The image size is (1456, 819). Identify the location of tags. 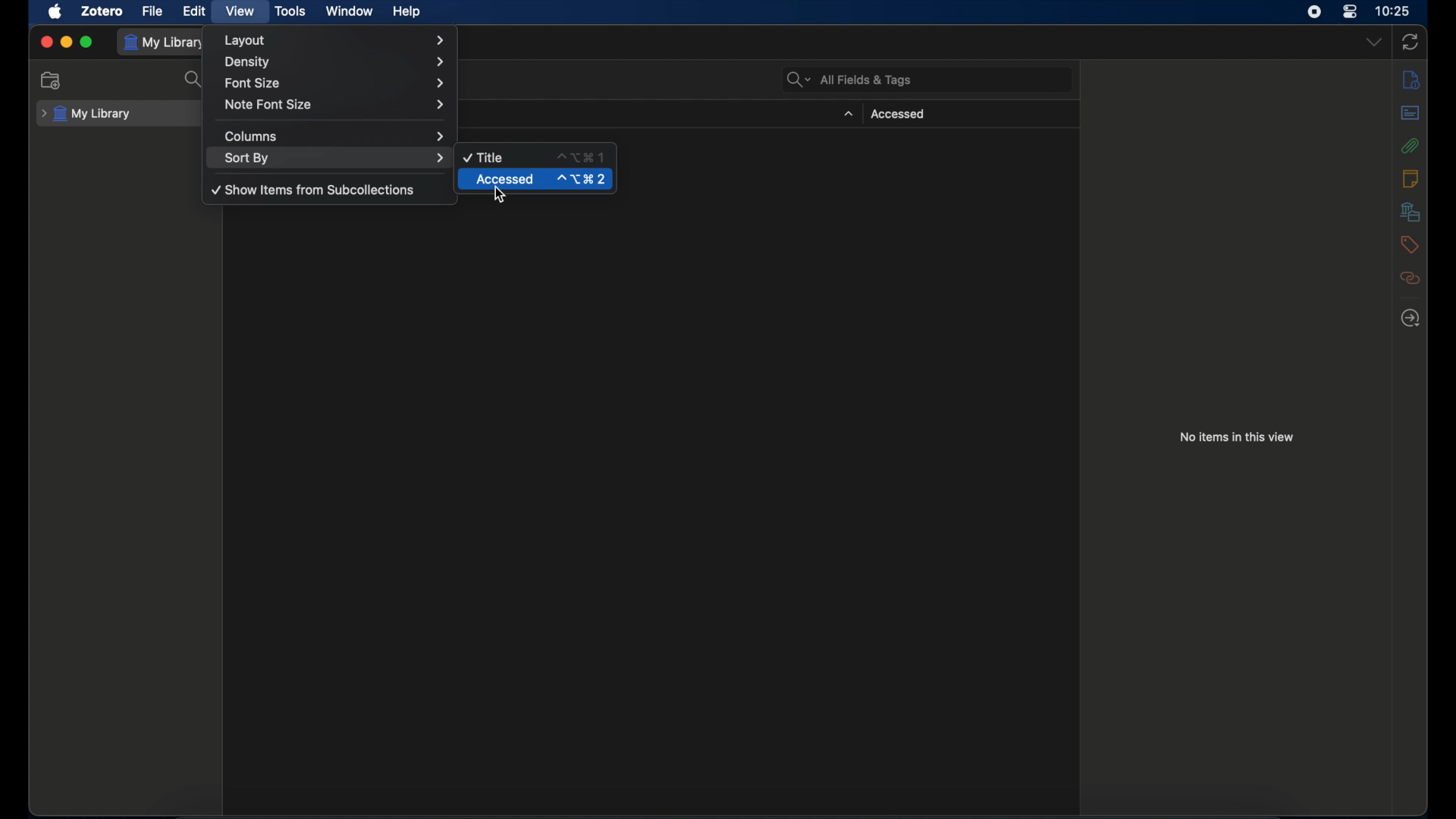
(1410, 244).